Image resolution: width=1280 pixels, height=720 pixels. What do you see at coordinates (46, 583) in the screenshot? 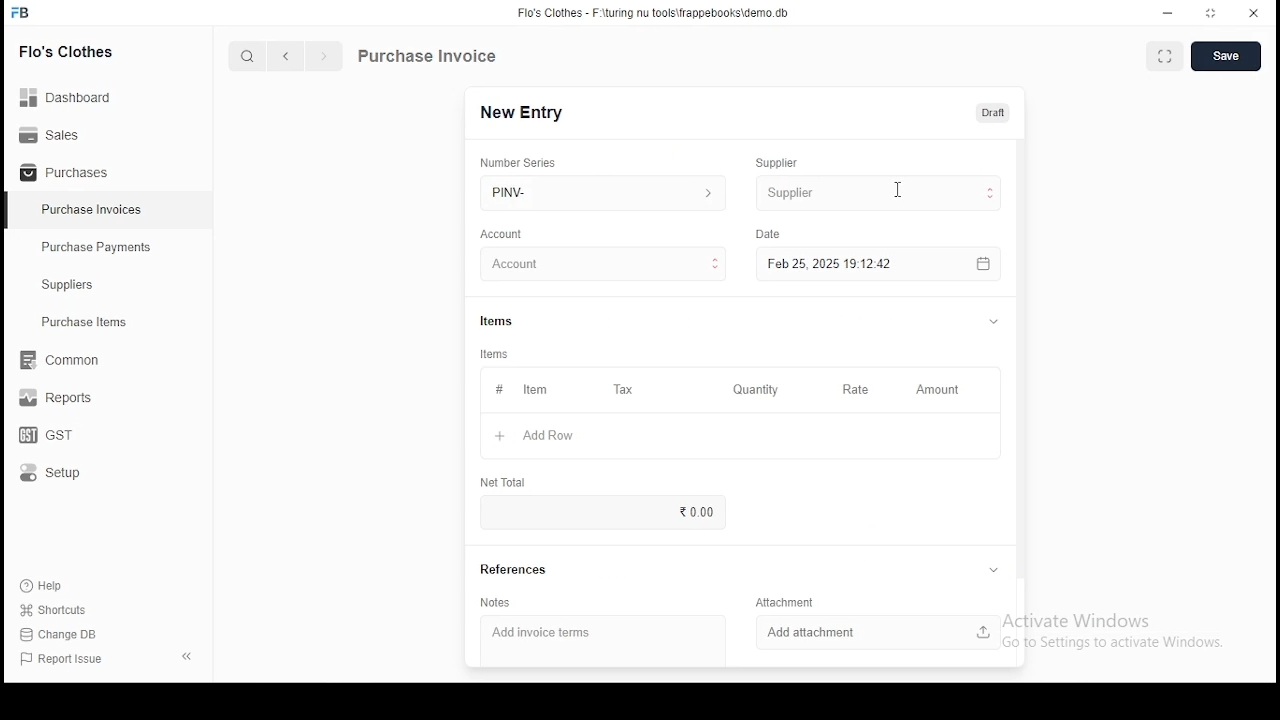
I see `help` at bounding box center [46, 583].